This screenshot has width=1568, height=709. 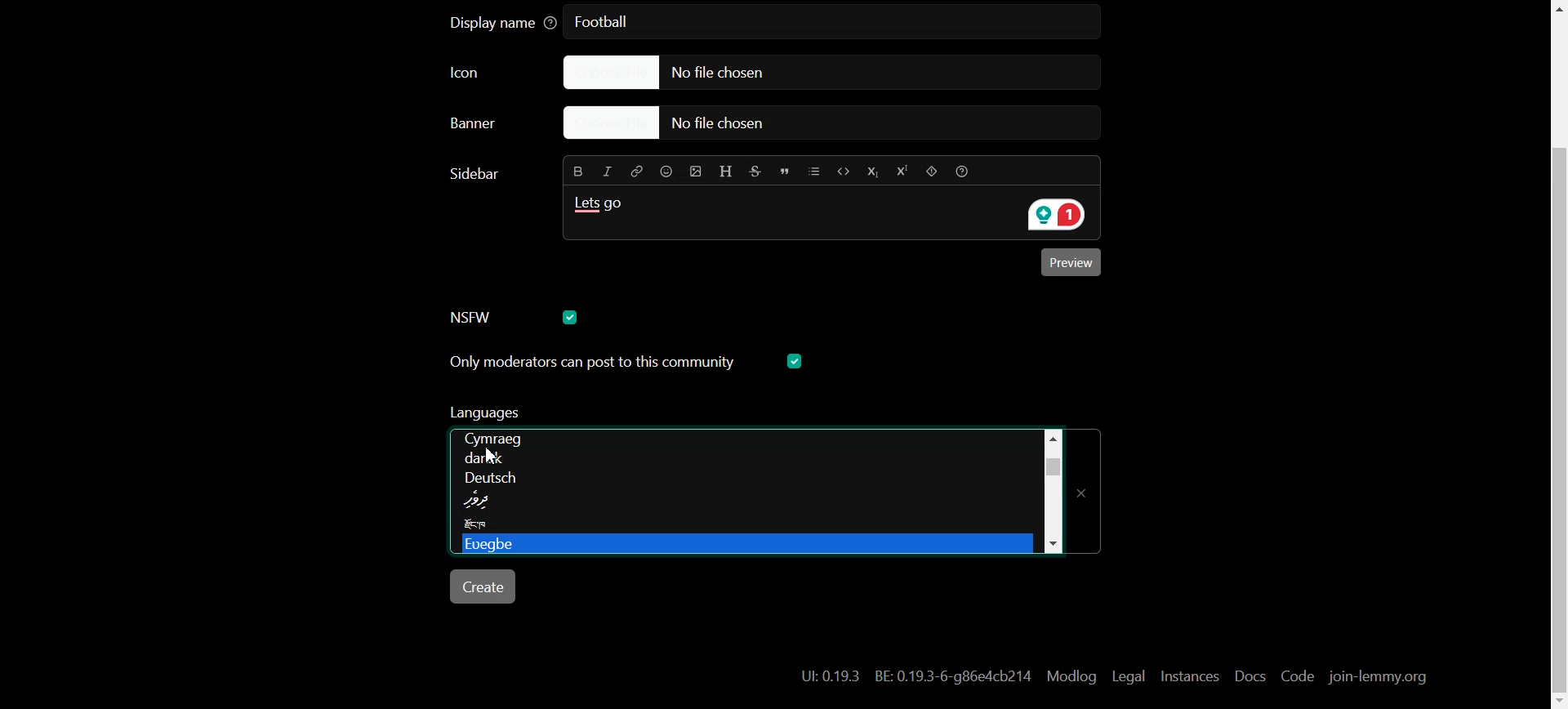 What do you see at coordinates (757, 170) in the screenshot?
I see `Strikethrough` at bounding box center [757, 170].